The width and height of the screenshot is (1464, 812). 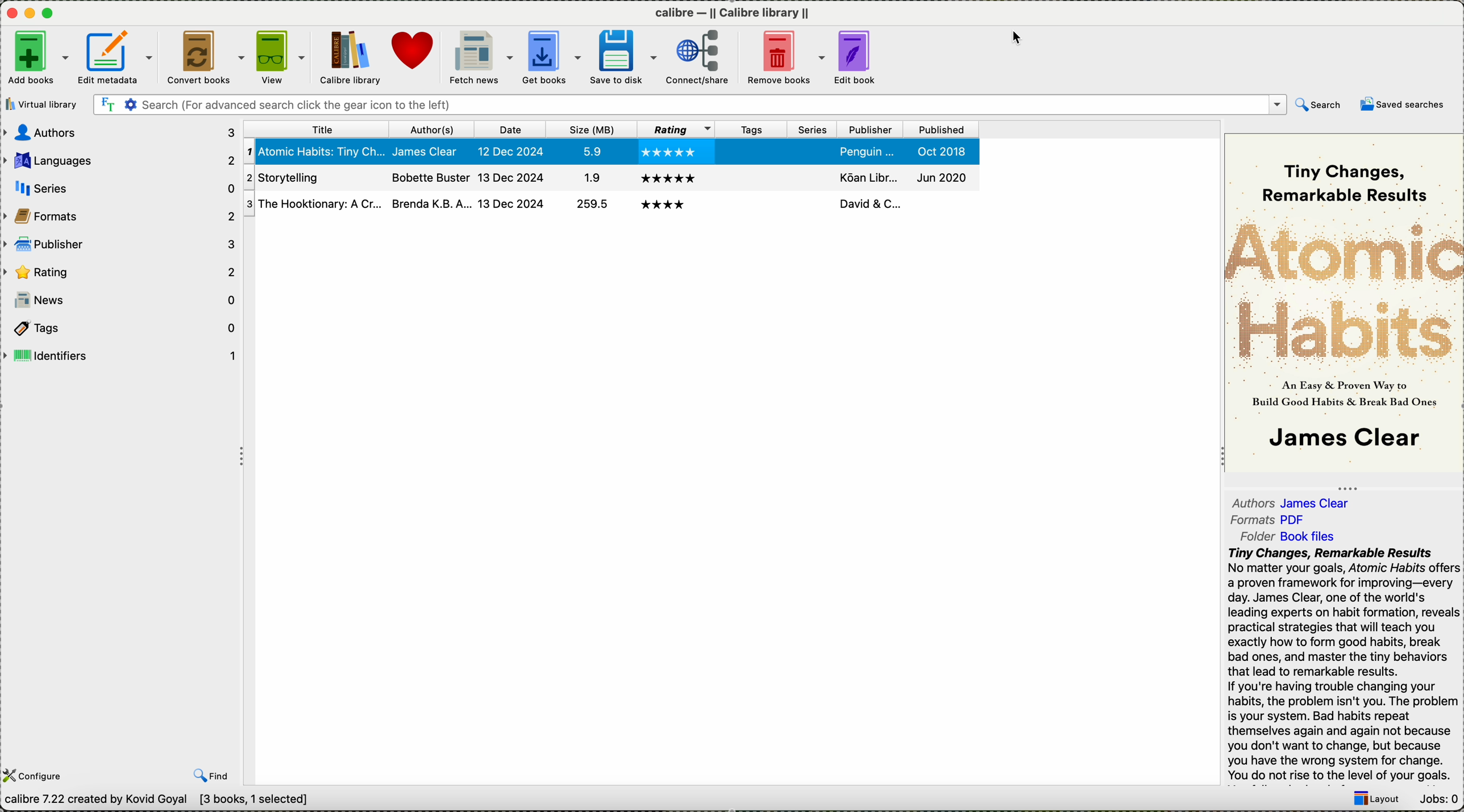 What do you see at coordinates (590, 179) in the screenshot?
I see `259.5` at bounding box center [590, 179].